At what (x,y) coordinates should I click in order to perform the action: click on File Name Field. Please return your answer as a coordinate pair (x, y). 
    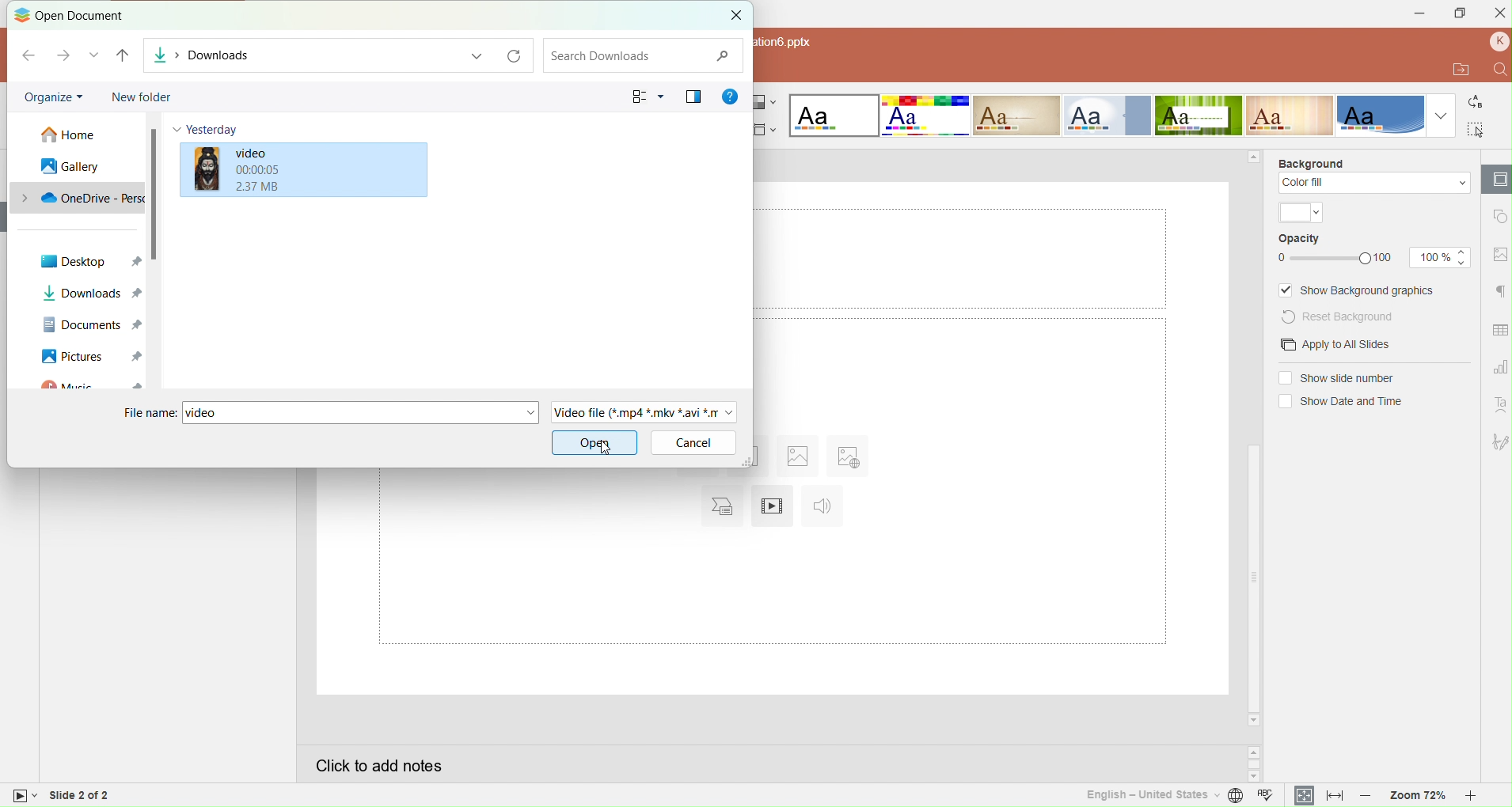
    Looking at the image, I should click on (359, 414).